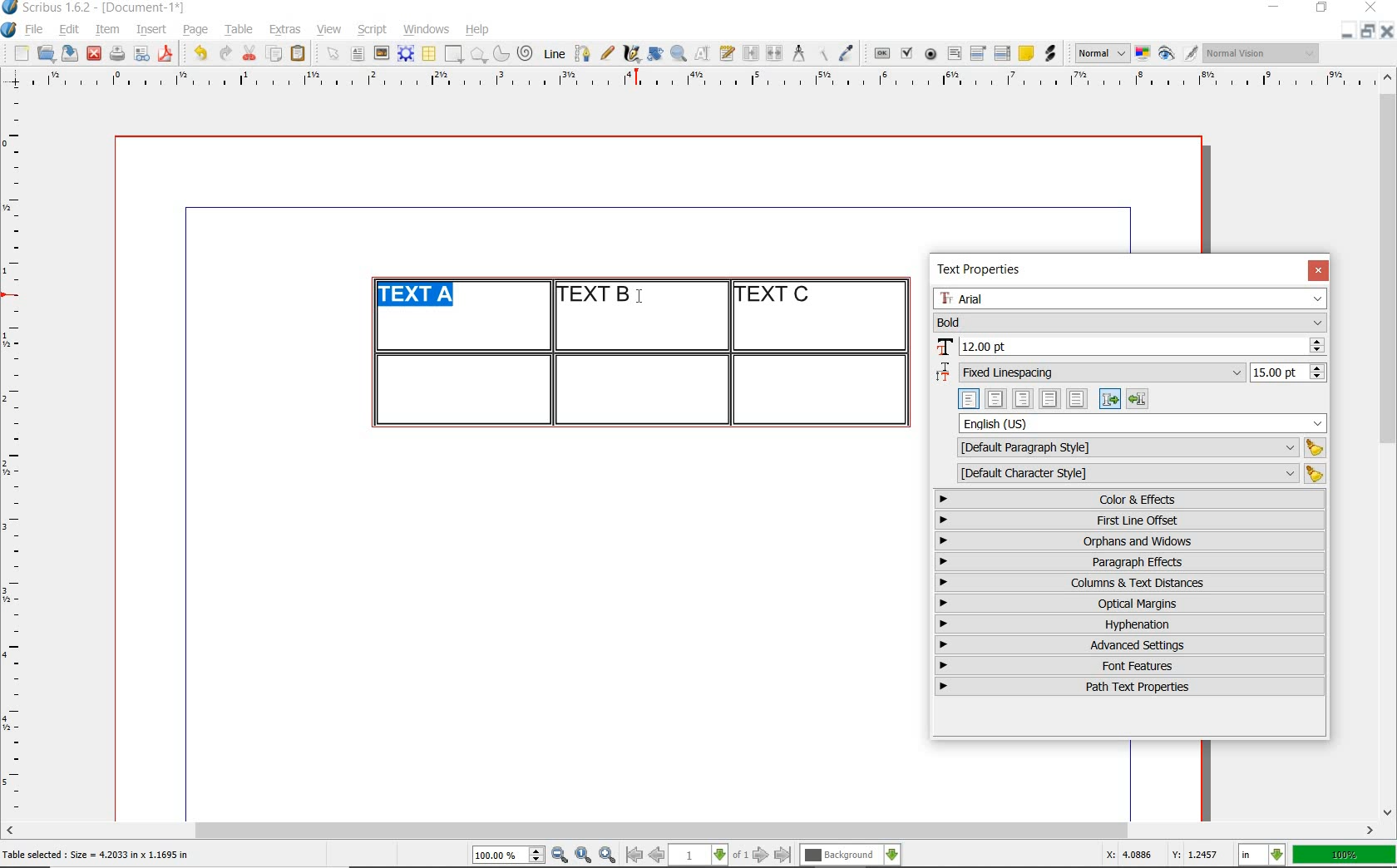  What do you see at coordinates (1053, 398) in the screenshot?
I see `text alignment` at bounding box center [1053, 398].